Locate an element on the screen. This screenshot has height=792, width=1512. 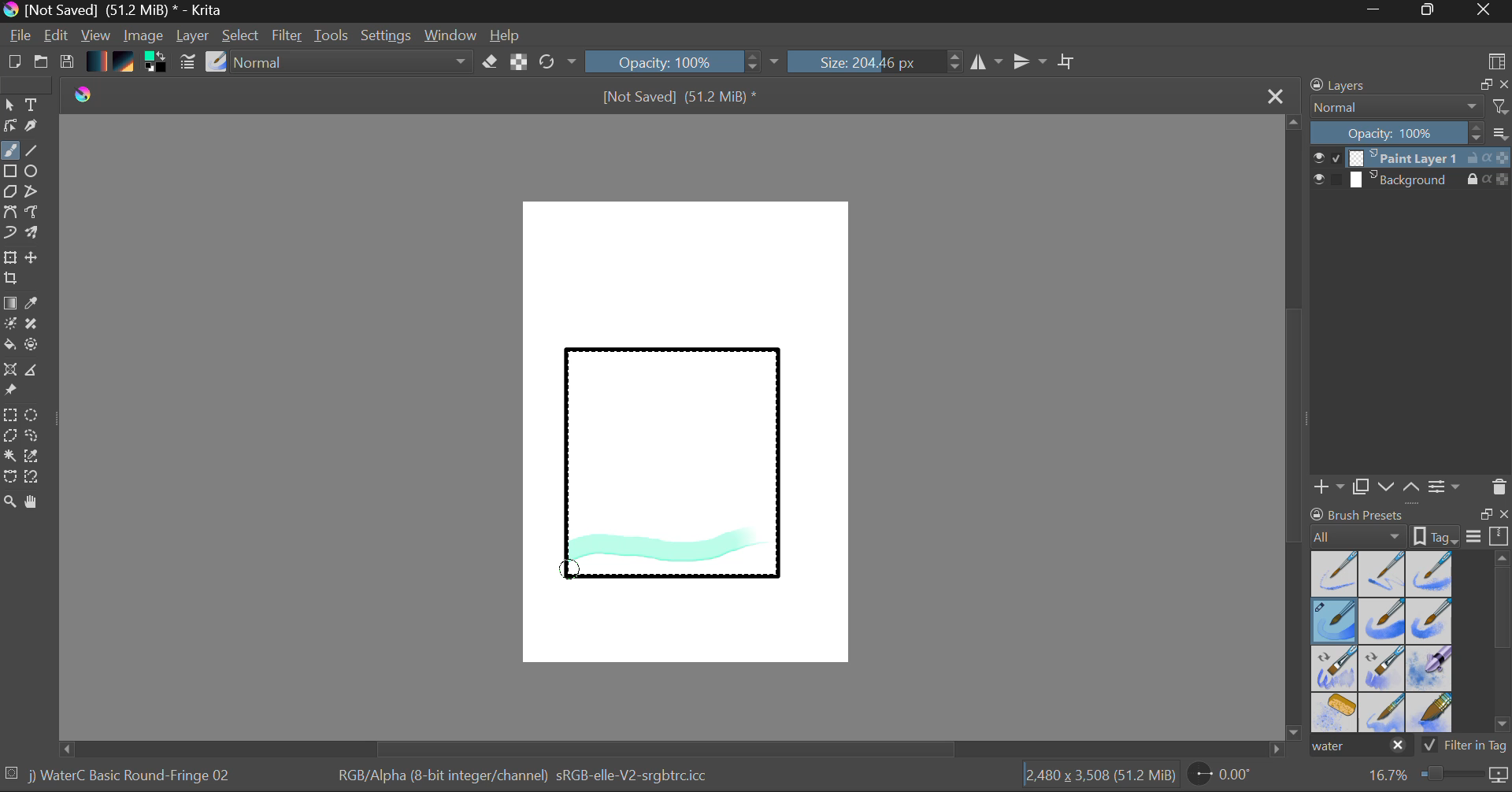
Rectangle Selection Tool is located at coordinates (9, 417).